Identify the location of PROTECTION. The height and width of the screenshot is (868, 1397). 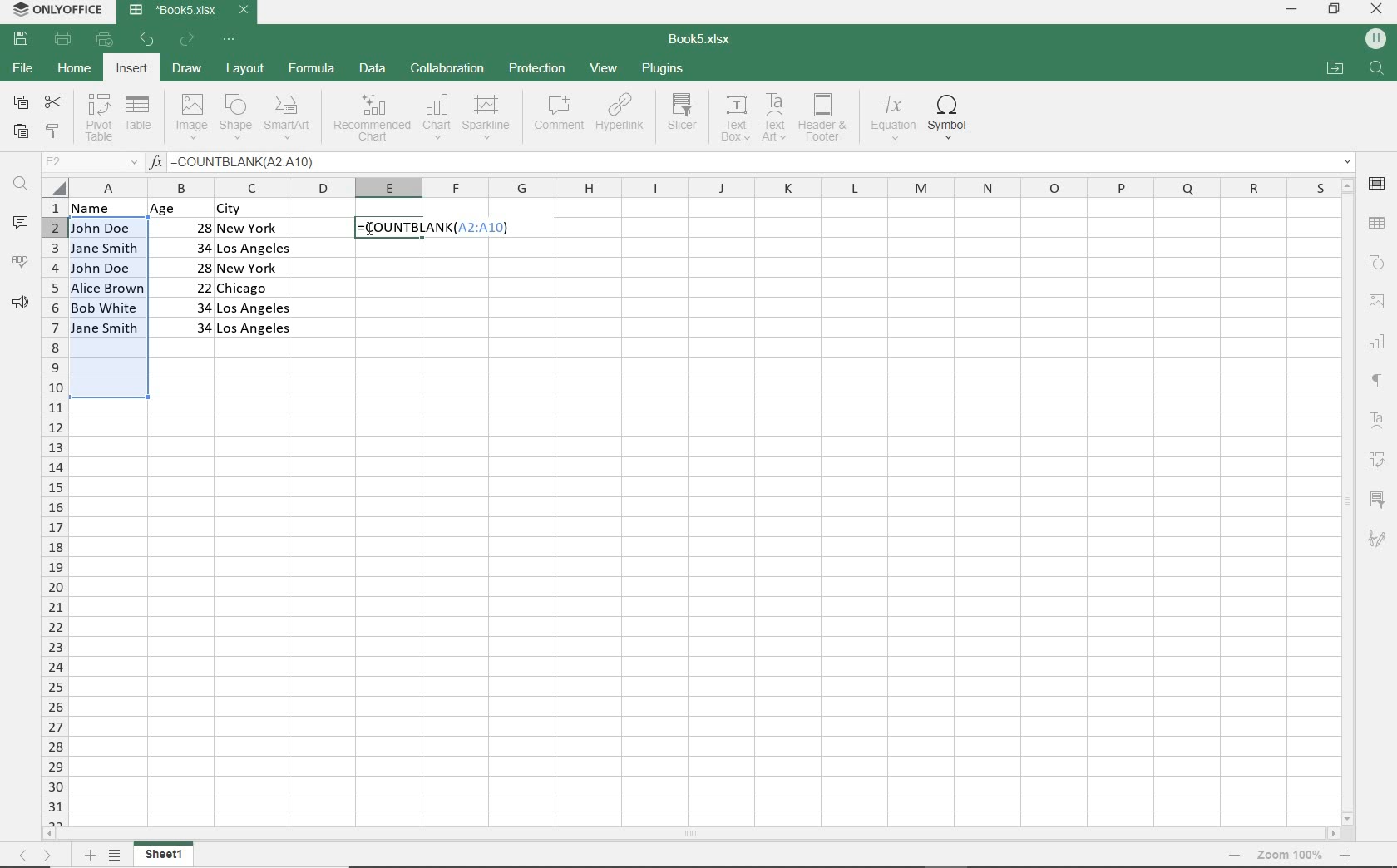
(538, 69).